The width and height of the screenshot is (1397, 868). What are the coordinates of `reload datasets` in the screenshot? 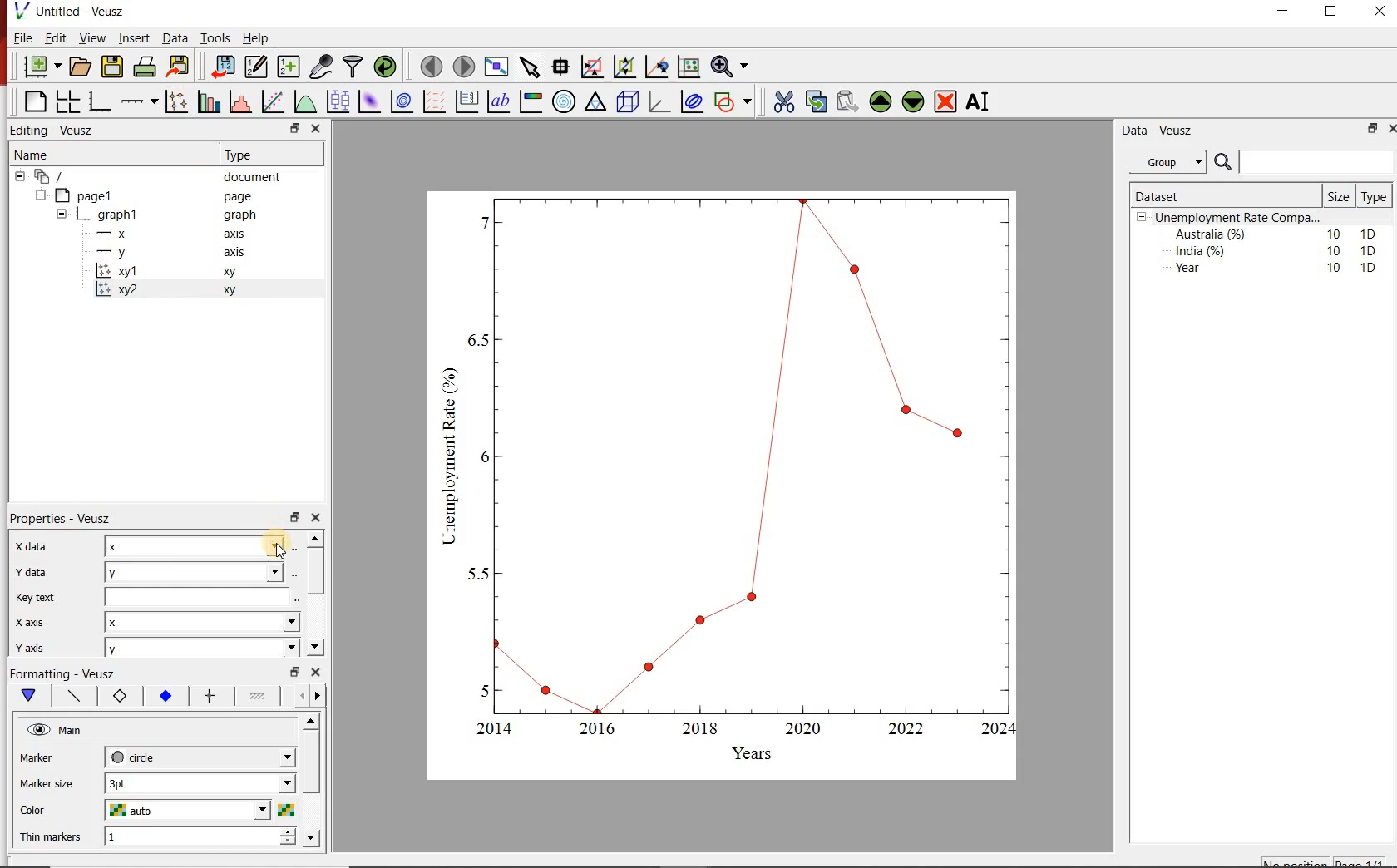 It's located at (386, 66).